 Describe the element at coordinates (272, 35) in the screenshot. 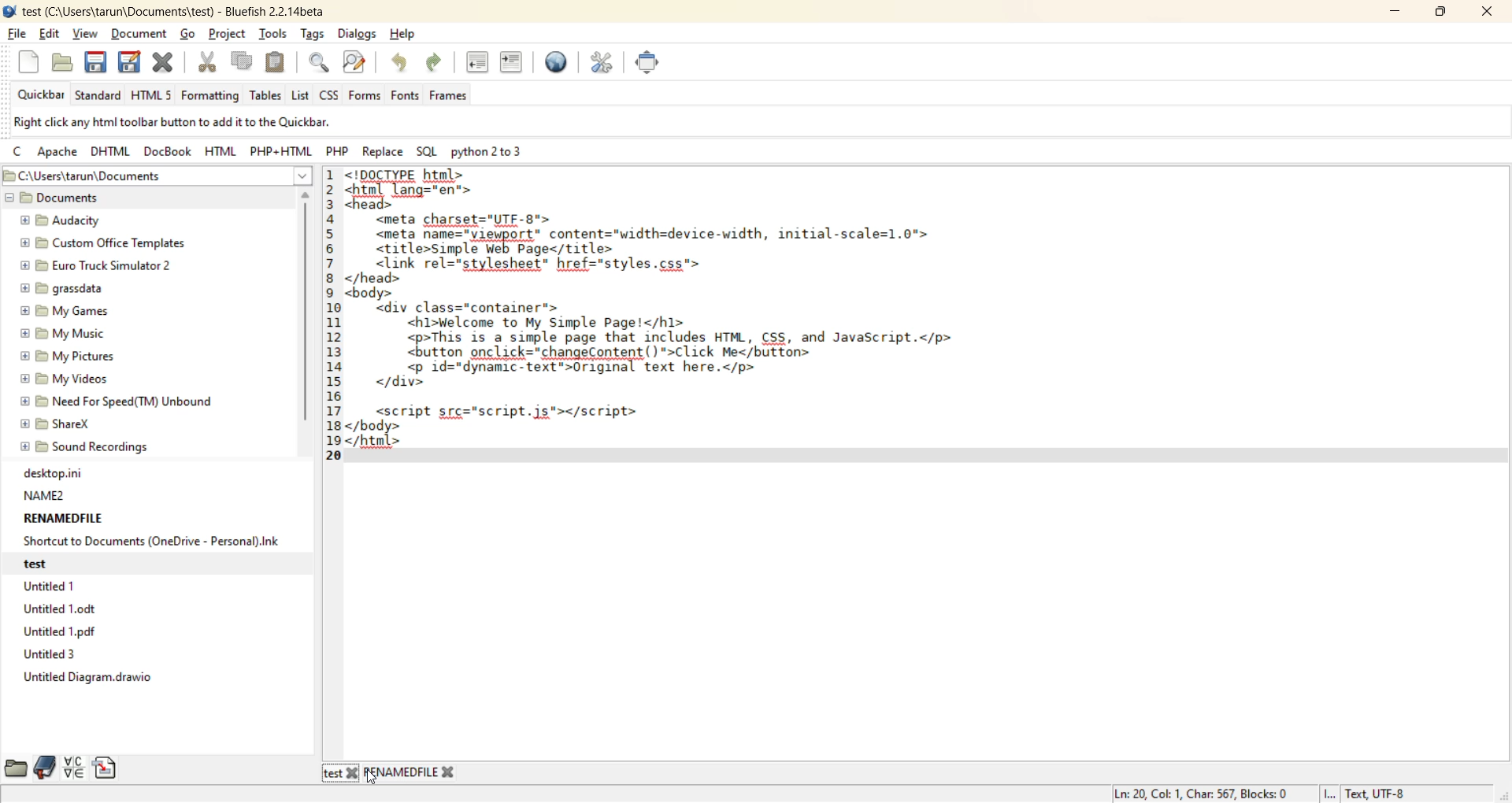

I see `tools` at that location.